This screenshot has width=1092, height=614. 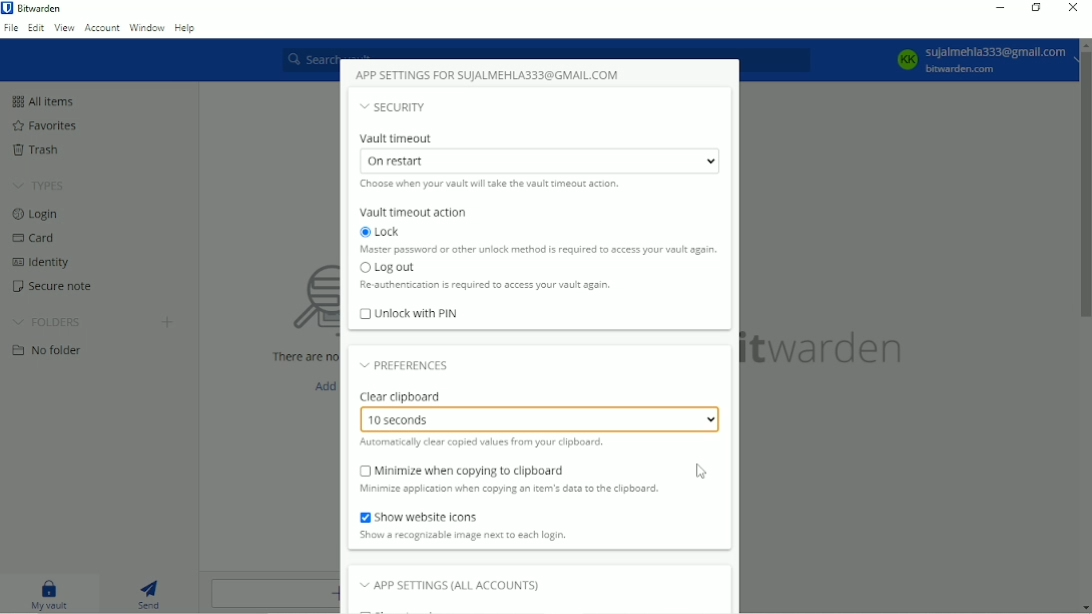 What do you see at coordinates (13, 28) in the screenshot?
I see `File` at bounding box center [13, 28].